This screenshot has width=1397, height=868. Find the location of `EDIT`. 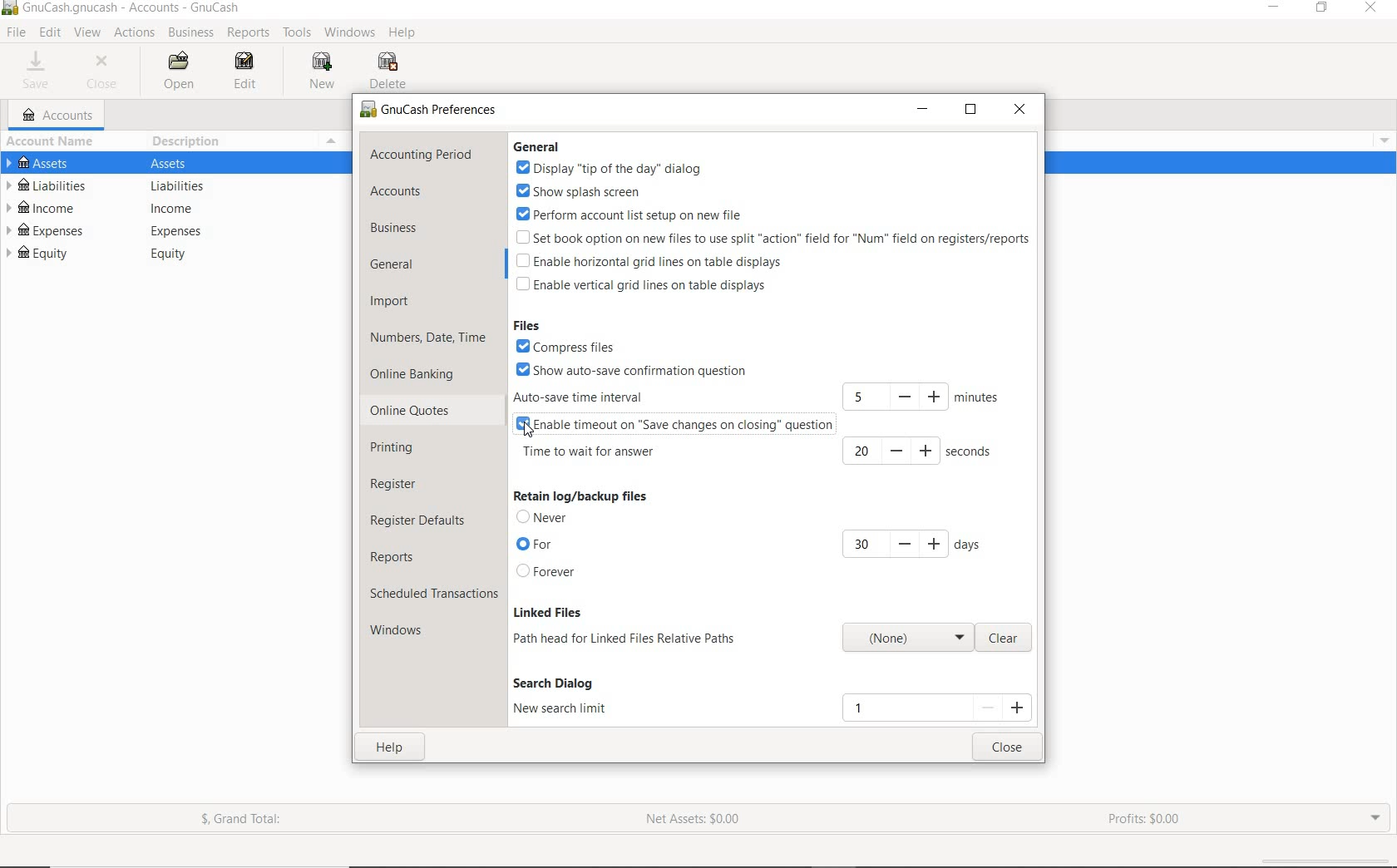

EDIT is located at coordinates (241, 70).